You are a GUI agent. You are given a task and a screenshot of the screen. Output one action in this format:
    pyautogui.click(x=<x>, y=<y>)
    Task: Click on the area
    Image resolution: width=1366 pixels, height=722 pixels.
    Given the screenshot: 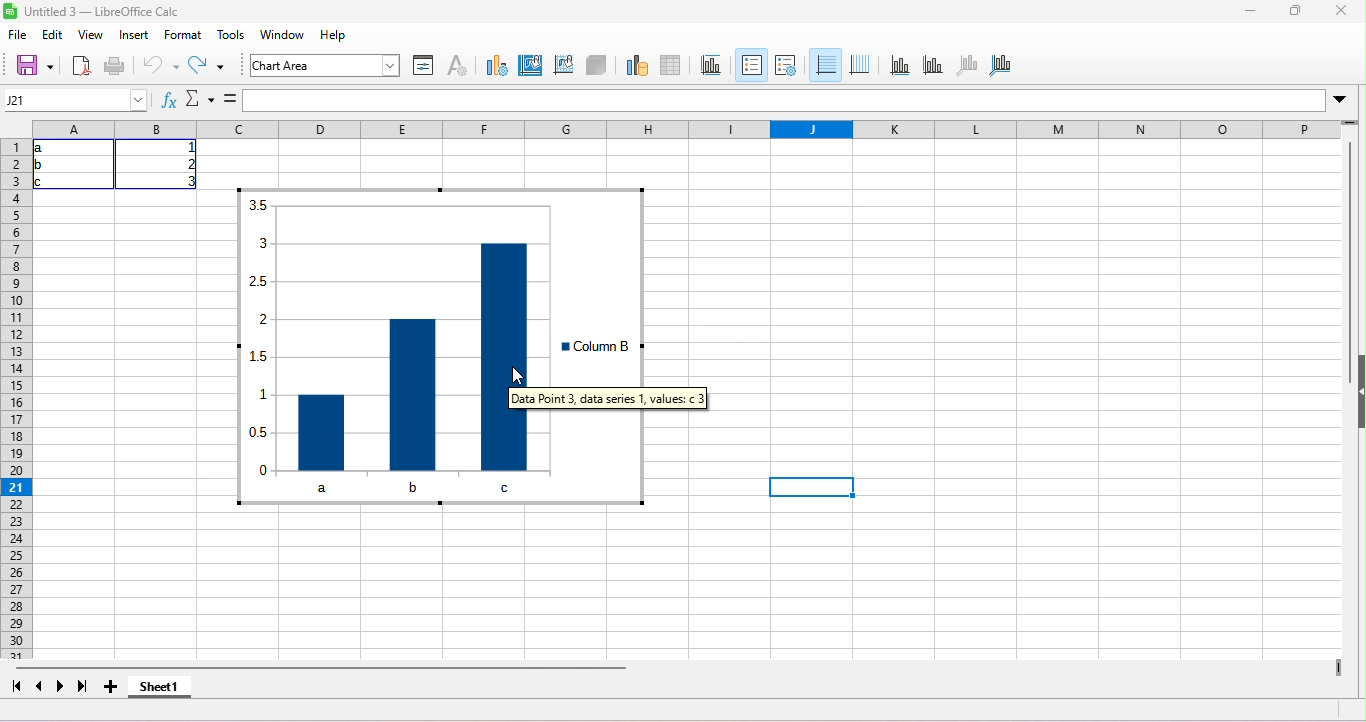 What is the action you would take?
    pyautogui.click(x=531, y=67)
    